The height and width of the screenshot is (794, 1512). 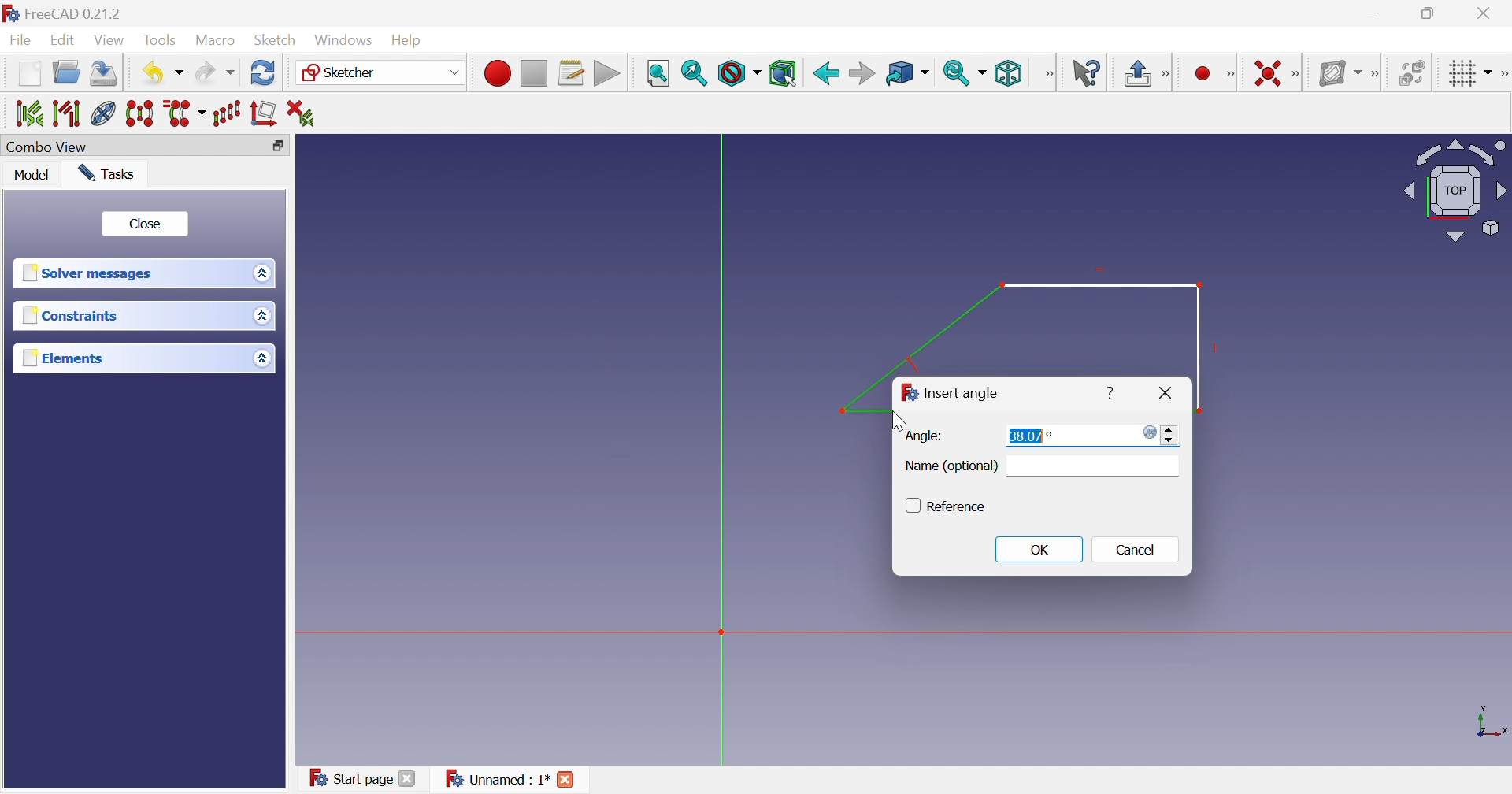 What do you see at coordinates (533, 72) in the screenshot?
I see `Stop macro recording` at bounding box center [533, 72].